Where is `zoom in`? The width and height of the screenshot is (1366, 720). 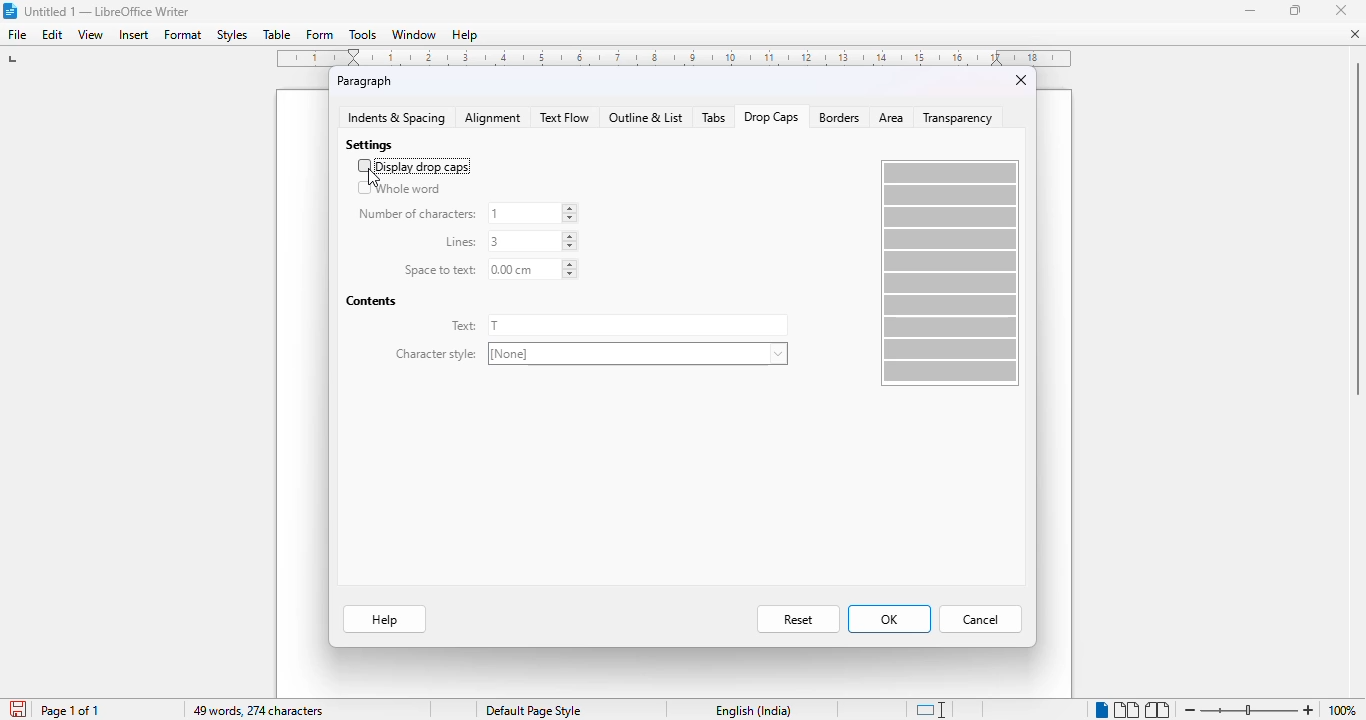 zoom in is located at coordinates (1308, 710).